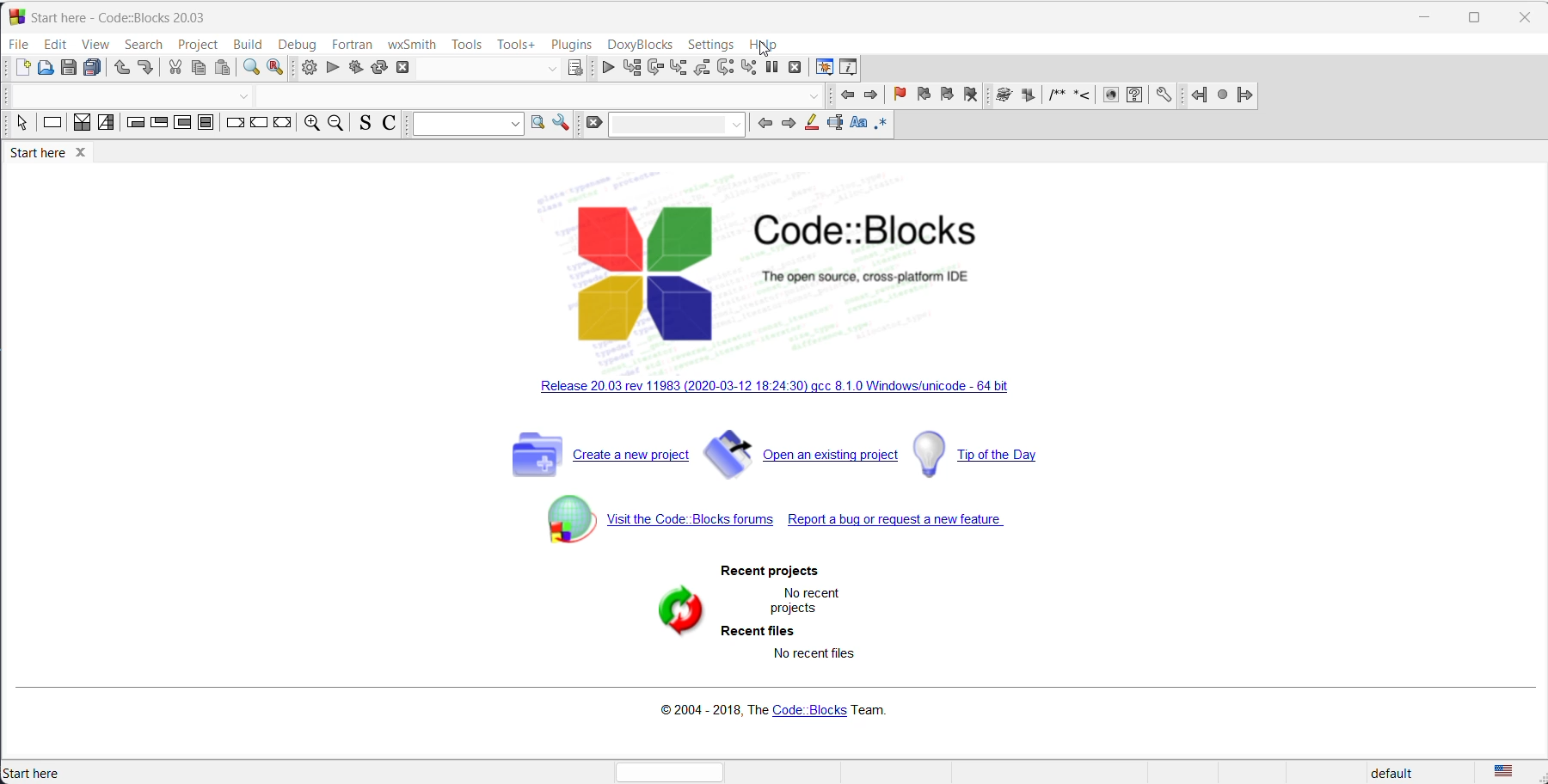  Describe the element at coordinates (539, 127) in the screenshot. I see `option window` at that location.